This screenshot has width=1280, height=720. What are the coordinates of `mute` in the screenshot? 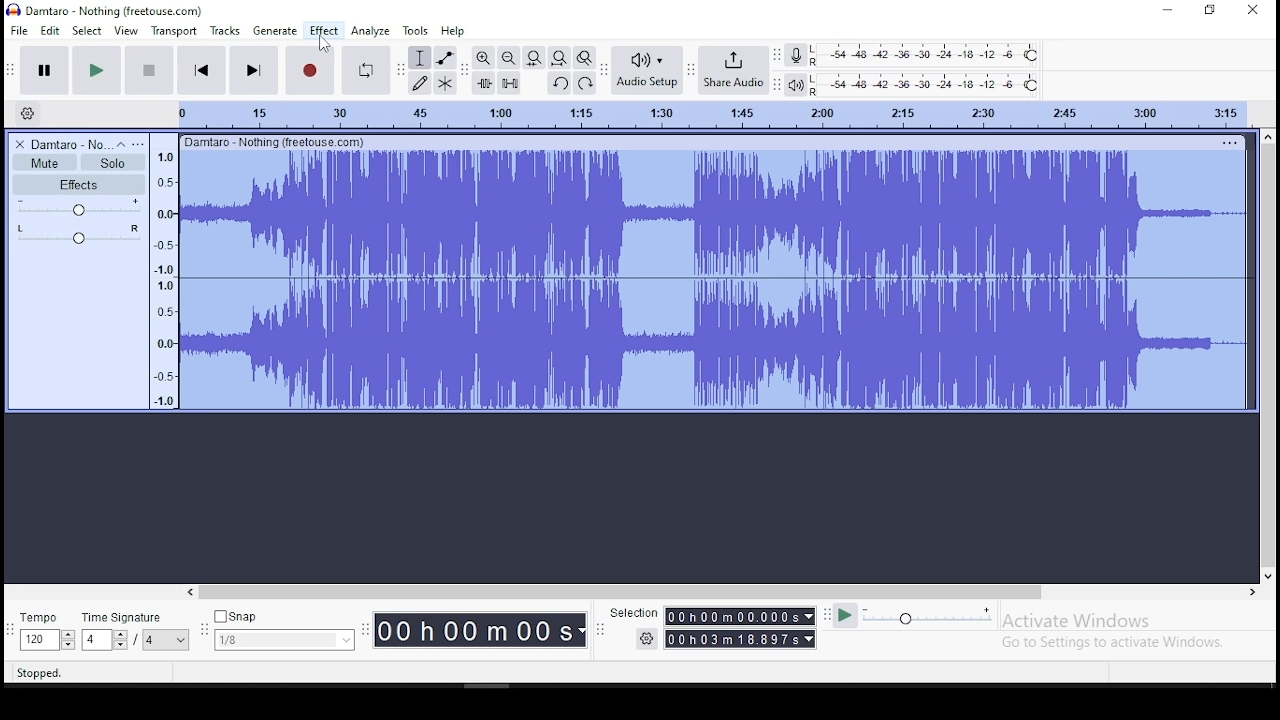 It's located at (45, 163).